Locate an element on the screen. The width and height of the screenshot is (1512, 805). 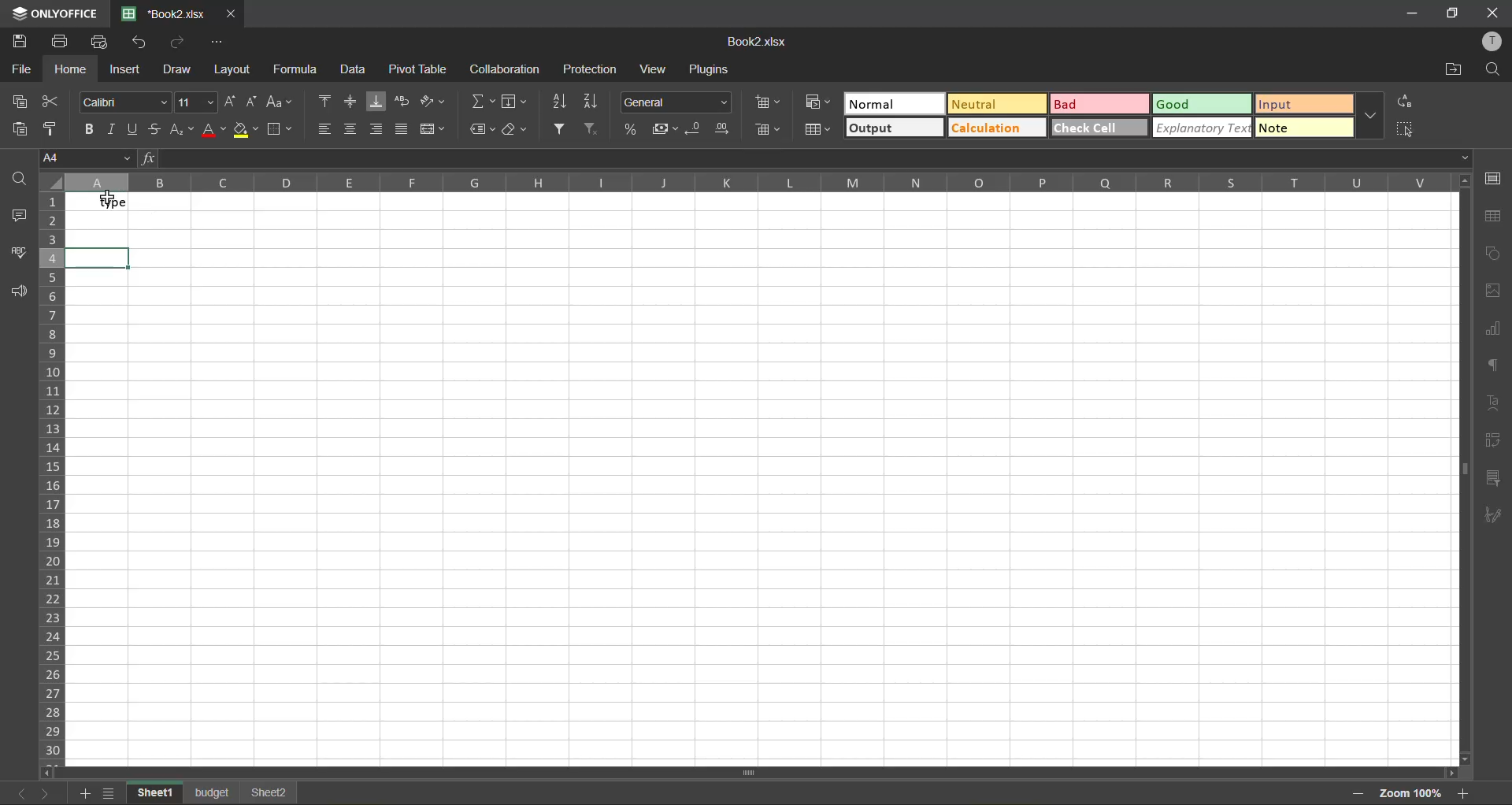
orientation is located at coordinates (436, 102).